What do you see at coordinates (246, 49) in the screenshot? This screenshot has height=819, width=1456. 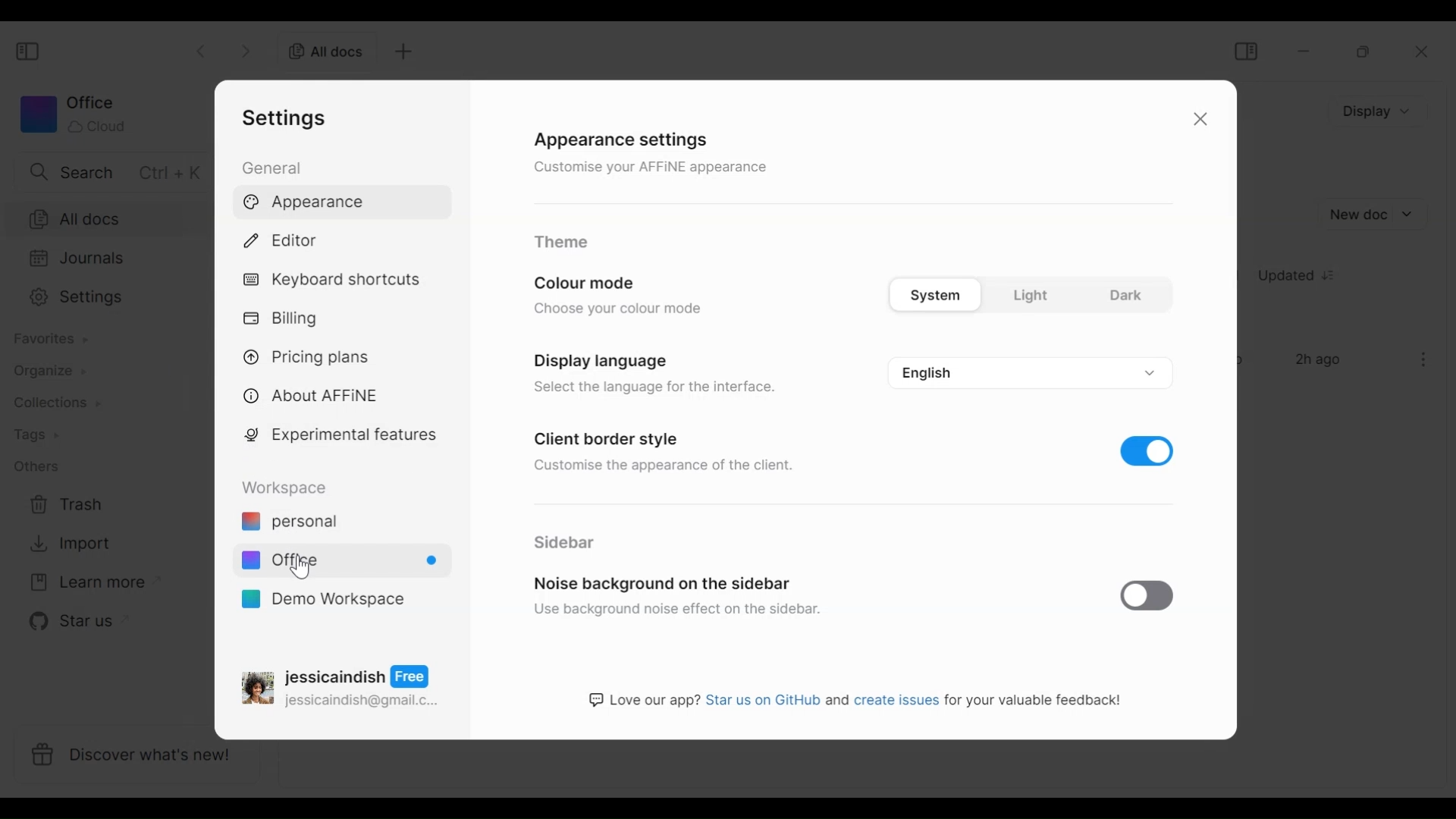 I see `Go Forward` at bounding box center [246, 49].